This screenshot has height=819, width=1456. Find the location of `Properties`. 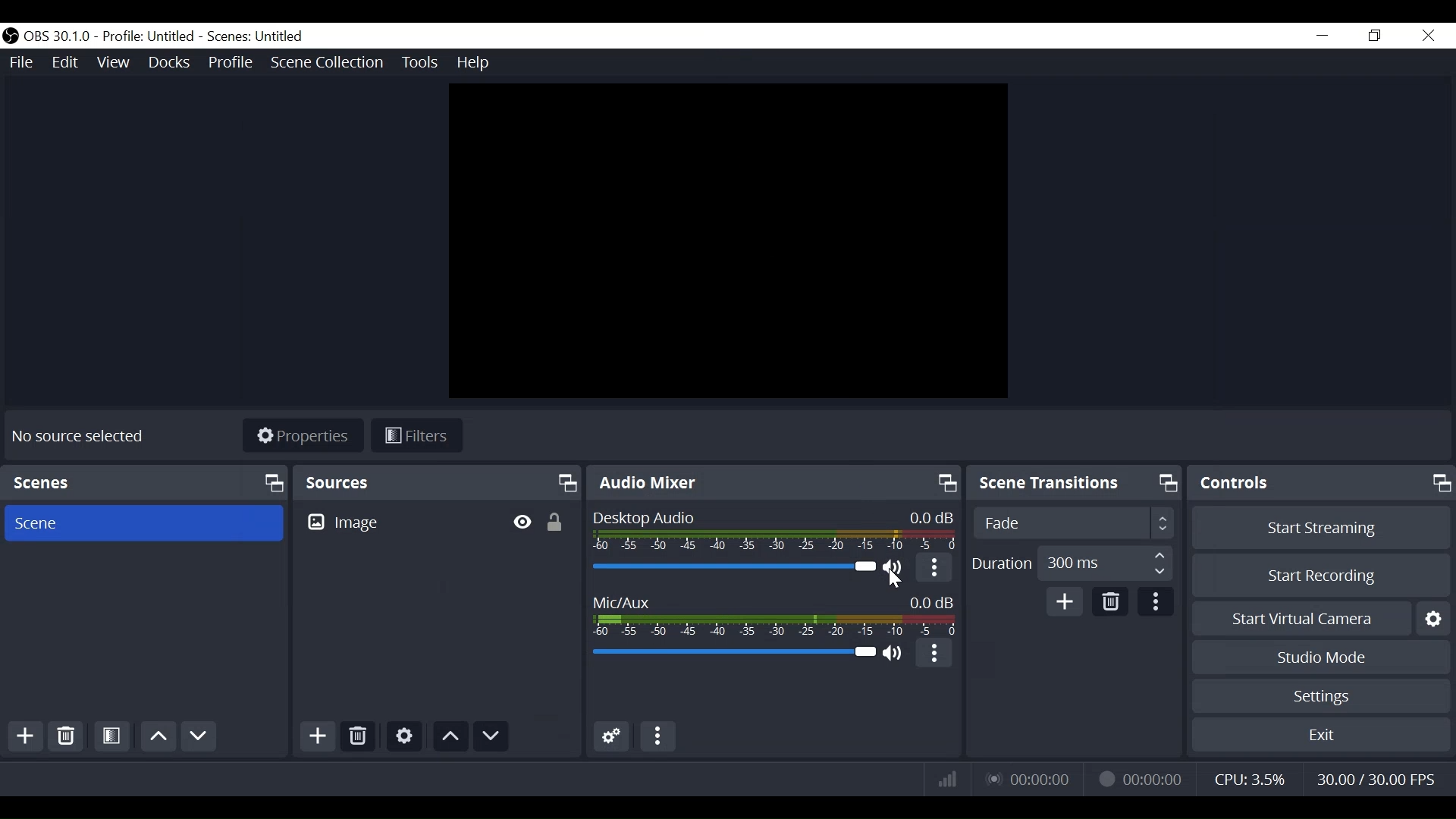

Properties is located at coordinates (306, 435).